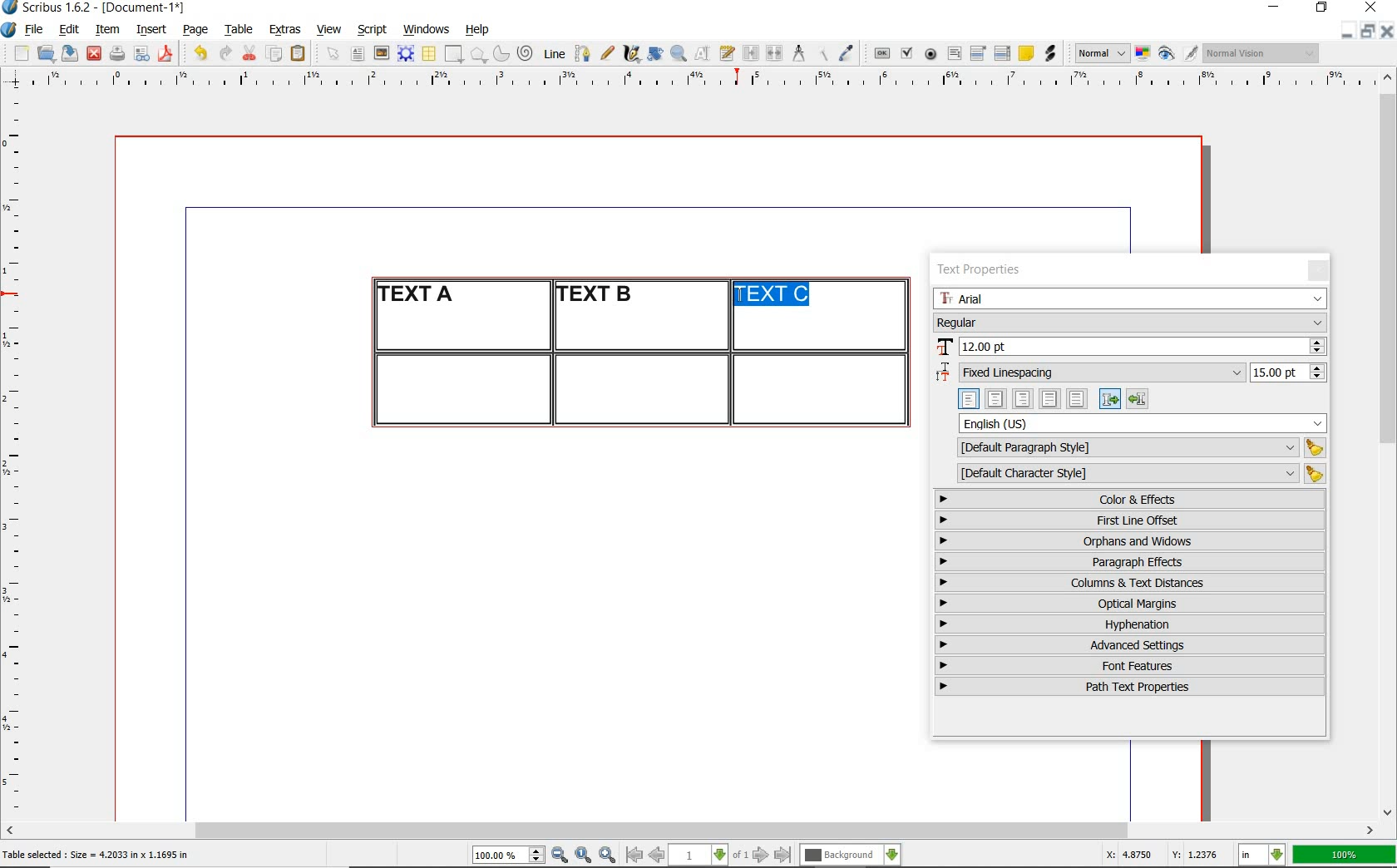 The image size is (1397, 868). Describe the element at coordinates (727, 52) in the screenshot. I see `edit text with story editor` at that location.